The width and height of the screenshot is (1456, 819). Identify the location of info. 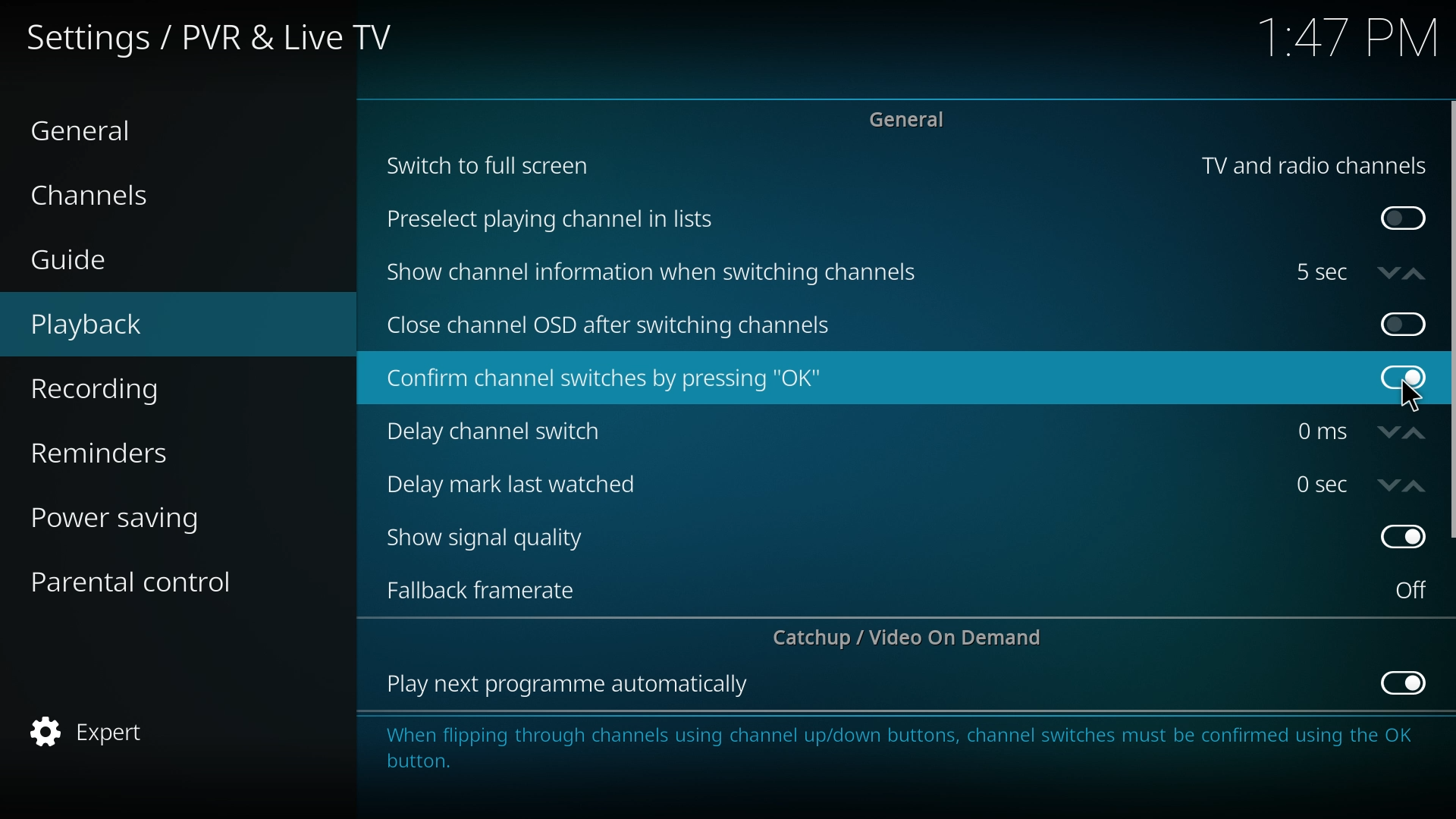
(896, 744).